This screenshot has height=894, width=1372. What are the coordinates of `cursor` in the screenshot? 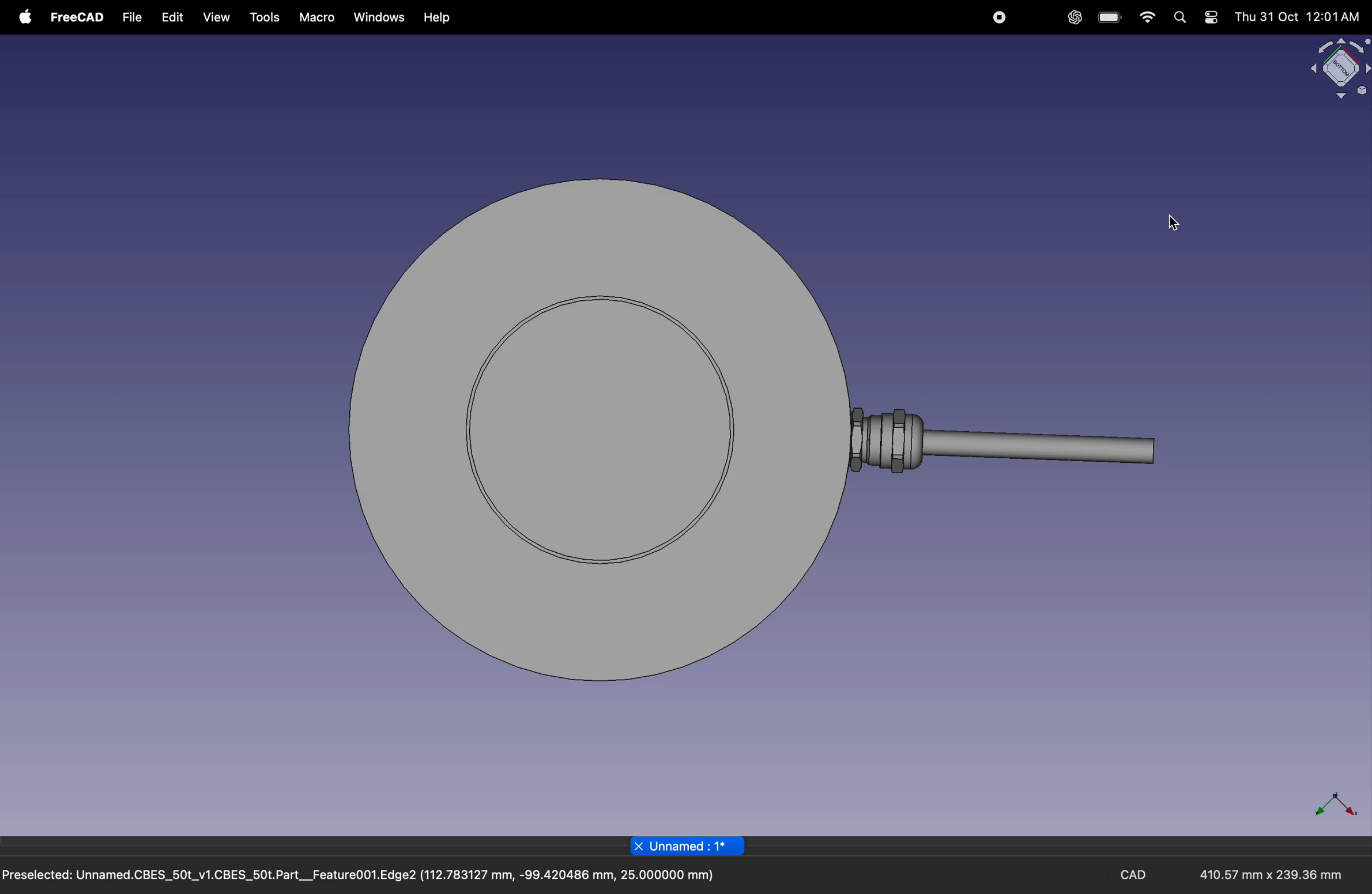 It's located at (1176, 224).